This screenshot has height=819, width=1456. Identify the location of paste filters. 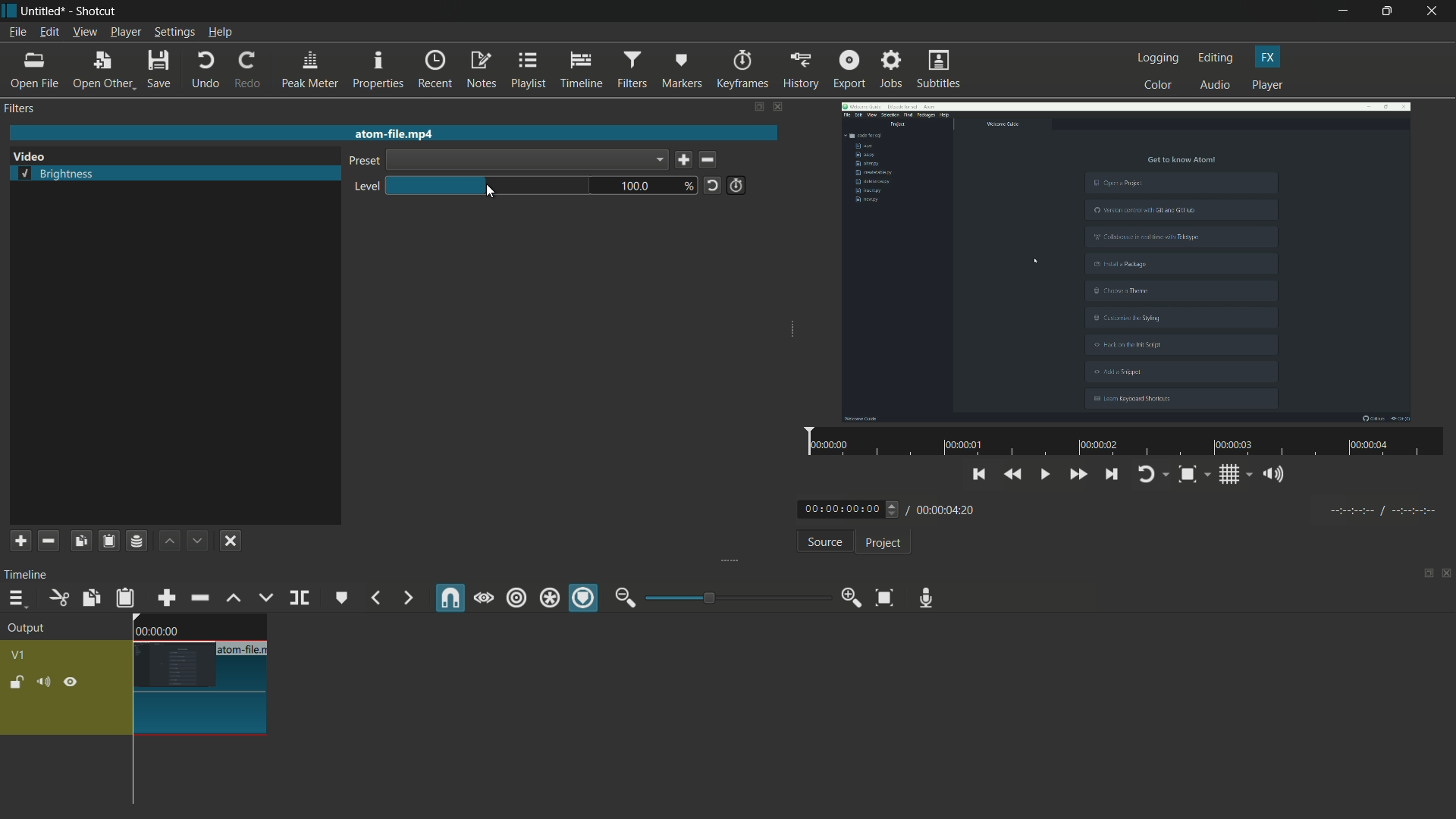
(108, 541).